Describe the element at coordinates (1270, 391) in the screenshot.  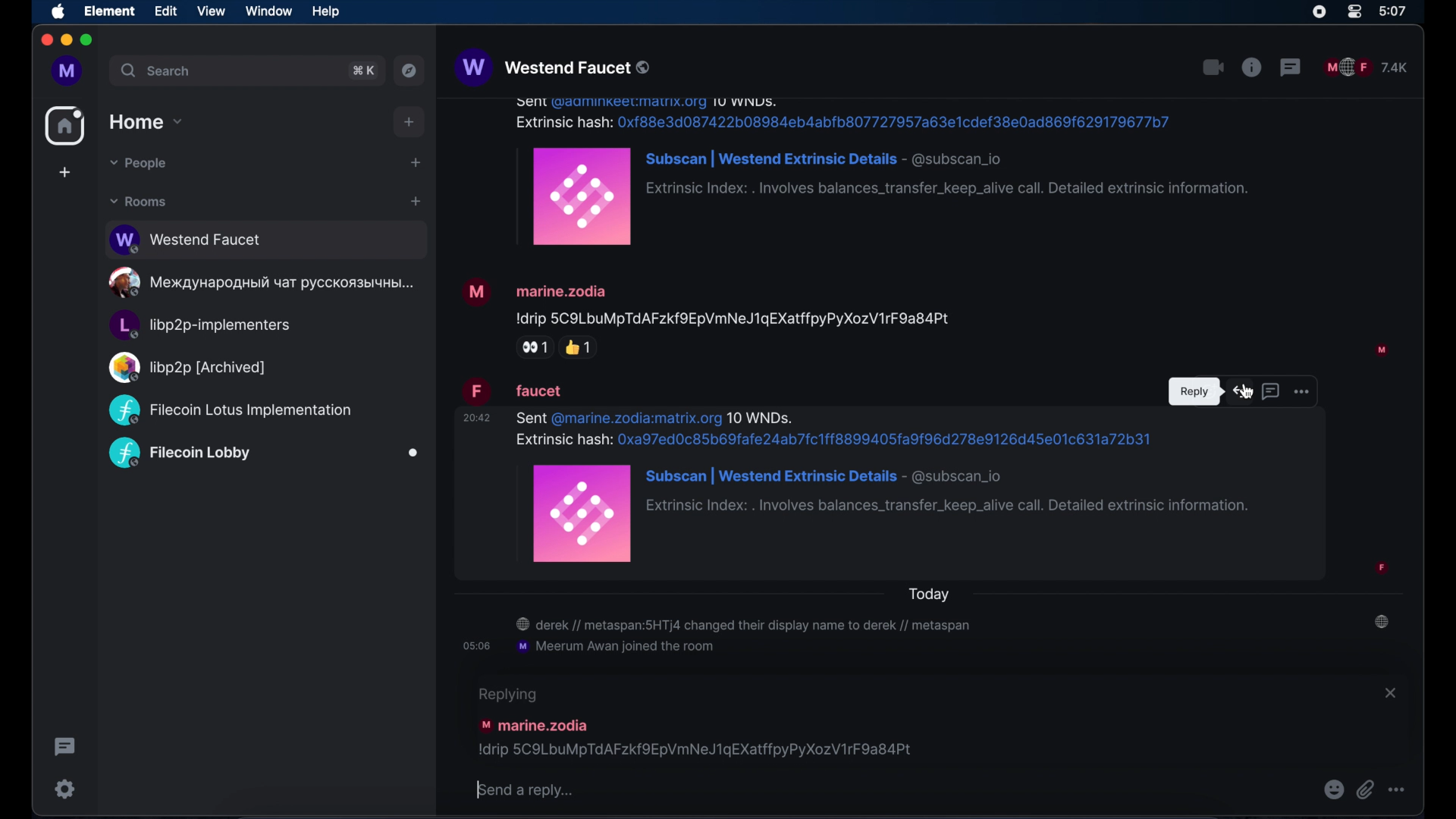
I see `reply in thread` at that location.